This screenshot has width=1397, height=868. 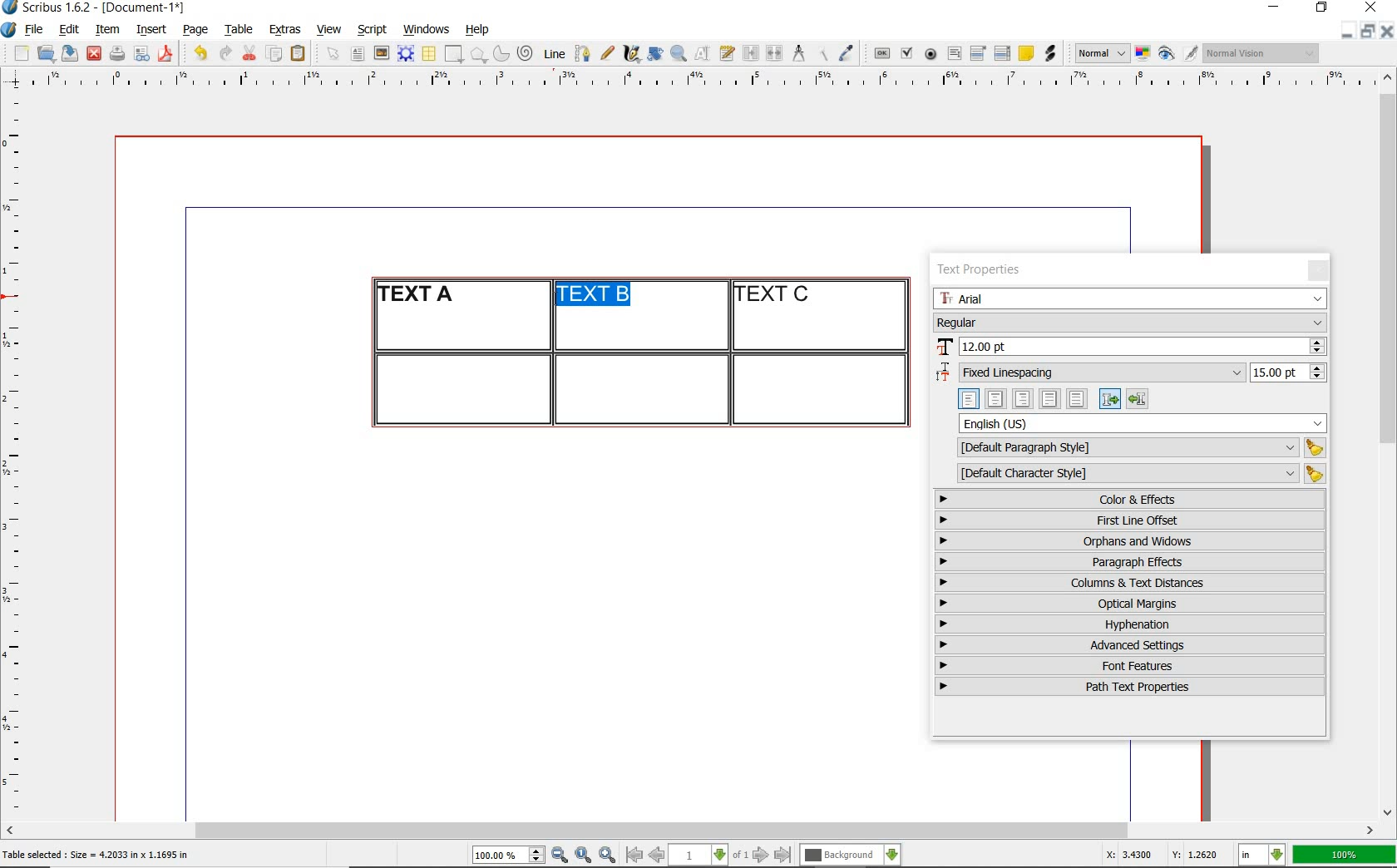 I want to click on scrollbar, so click(x=1389, y=443).